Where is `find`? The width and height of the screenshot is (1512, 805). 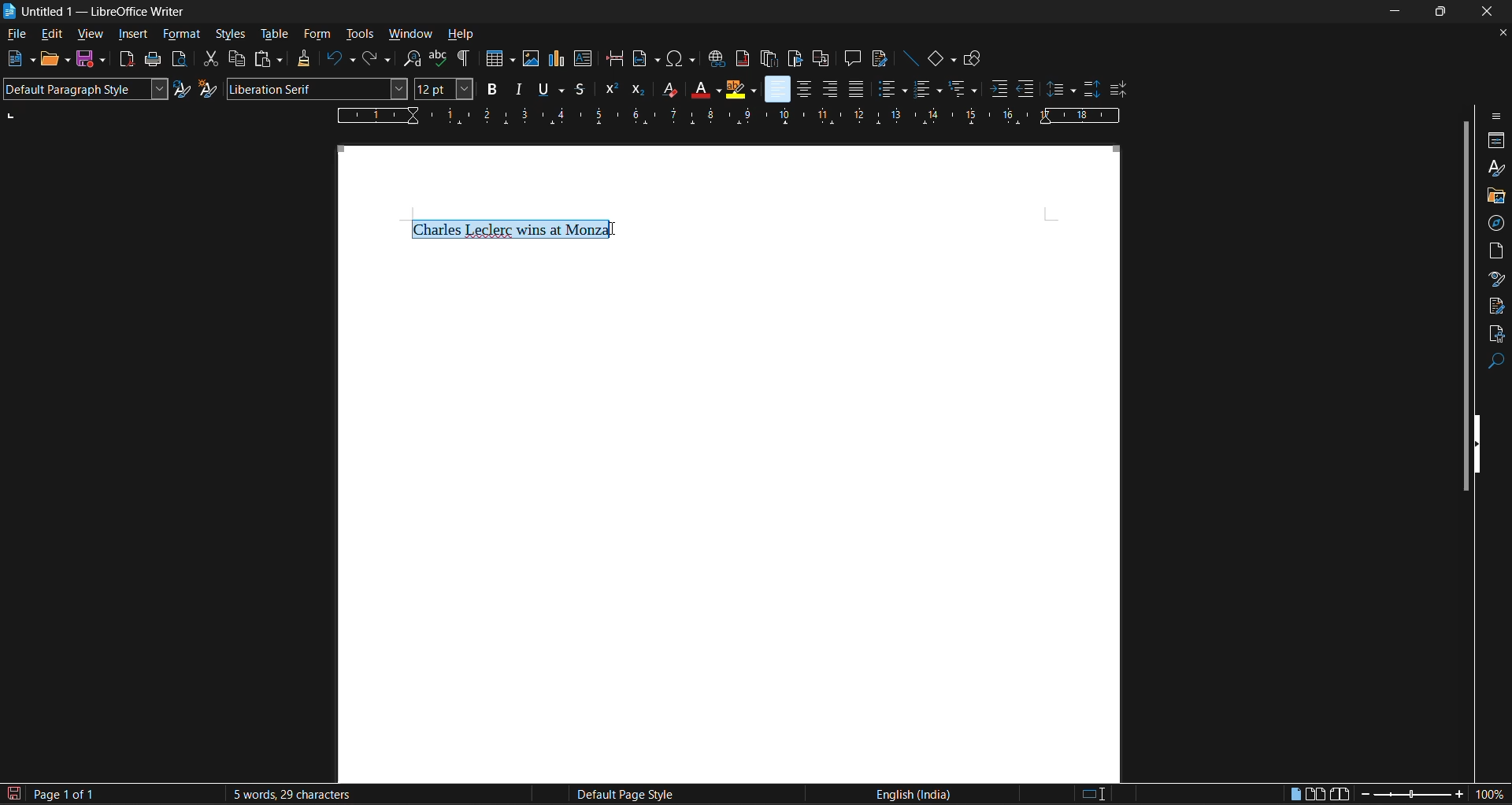
find is located at coordinates (1496, 362).